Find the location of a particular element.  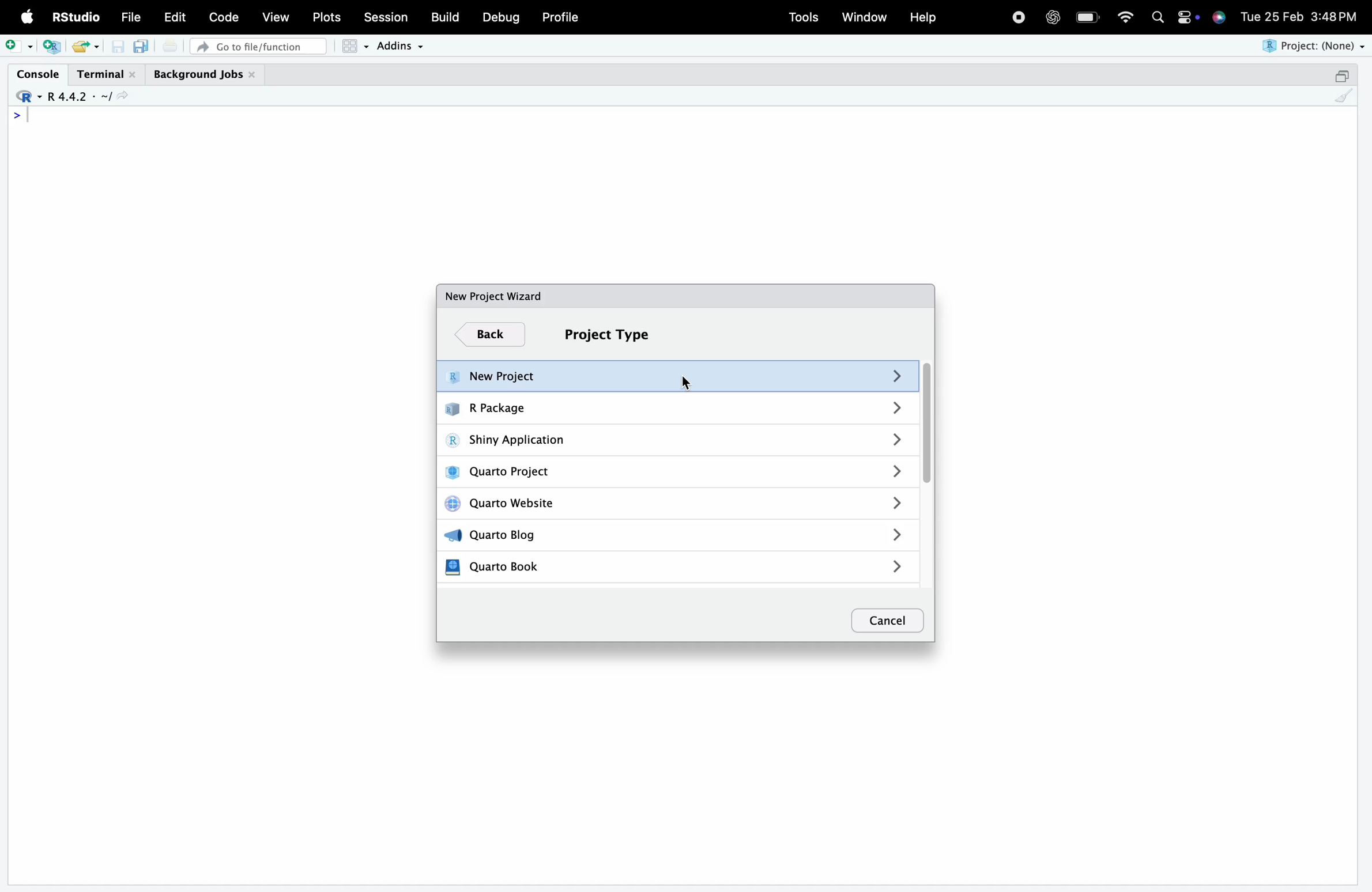

R is located at coordinates (27, 97).